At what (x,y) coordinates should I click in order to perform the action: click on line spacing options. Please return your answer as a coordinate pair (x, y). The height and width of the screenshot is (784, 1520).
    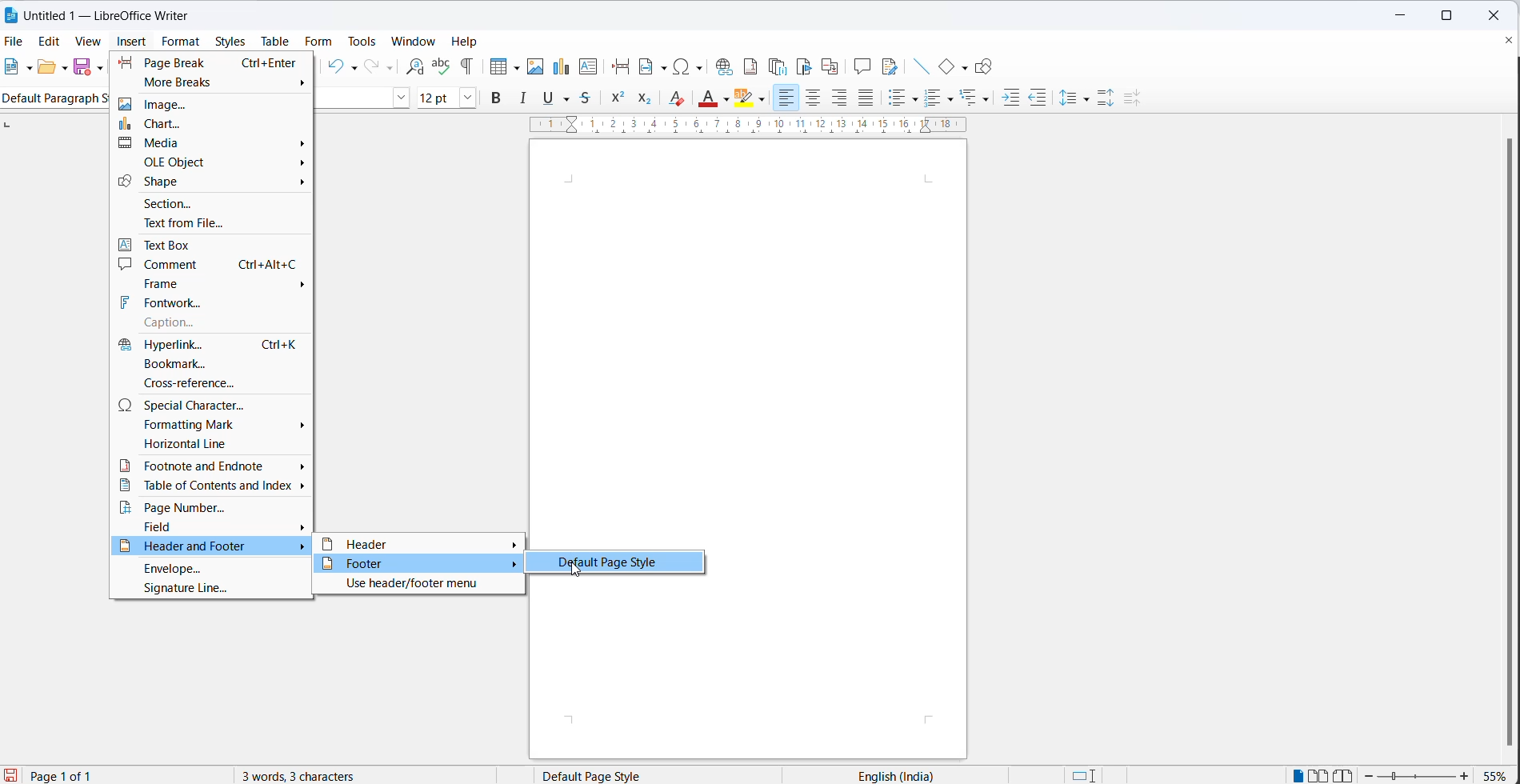
    Looking at the image, I should click on (1083, 100).